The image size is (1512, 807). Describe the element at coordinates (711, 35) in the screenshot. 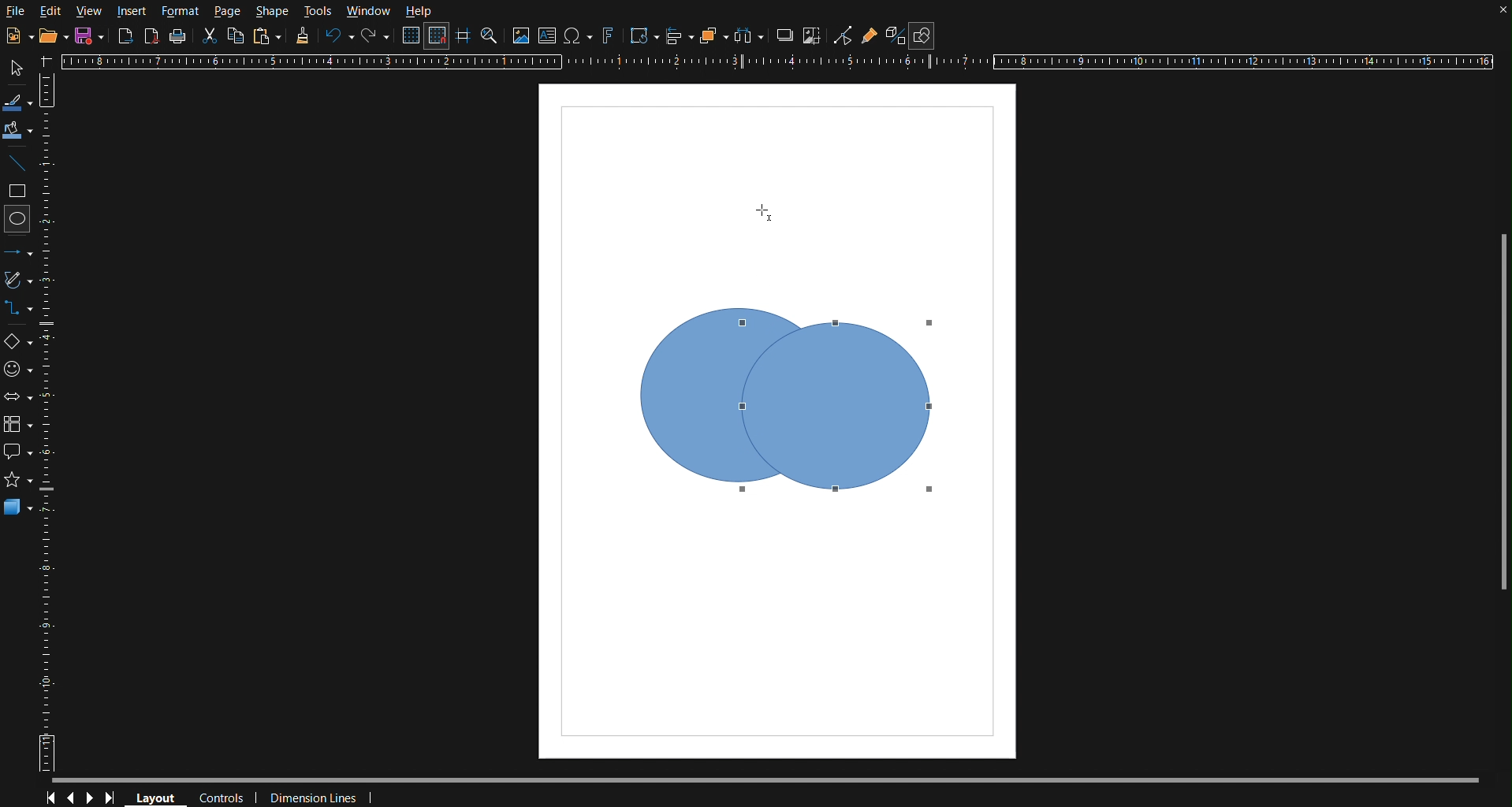

I see `Arrange` at that location.